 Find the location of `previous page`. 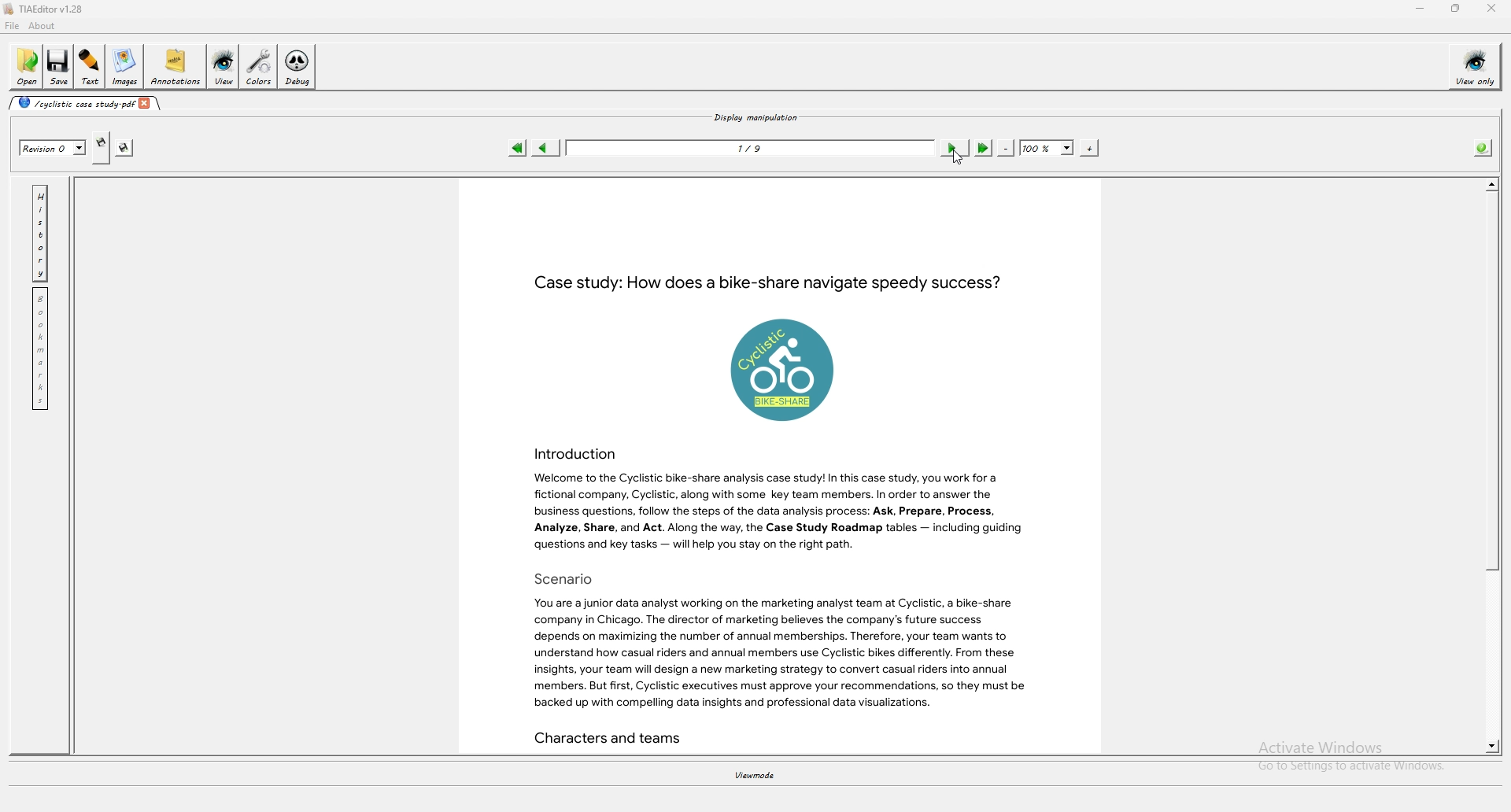

previous page is located at coordinates (545, 148).